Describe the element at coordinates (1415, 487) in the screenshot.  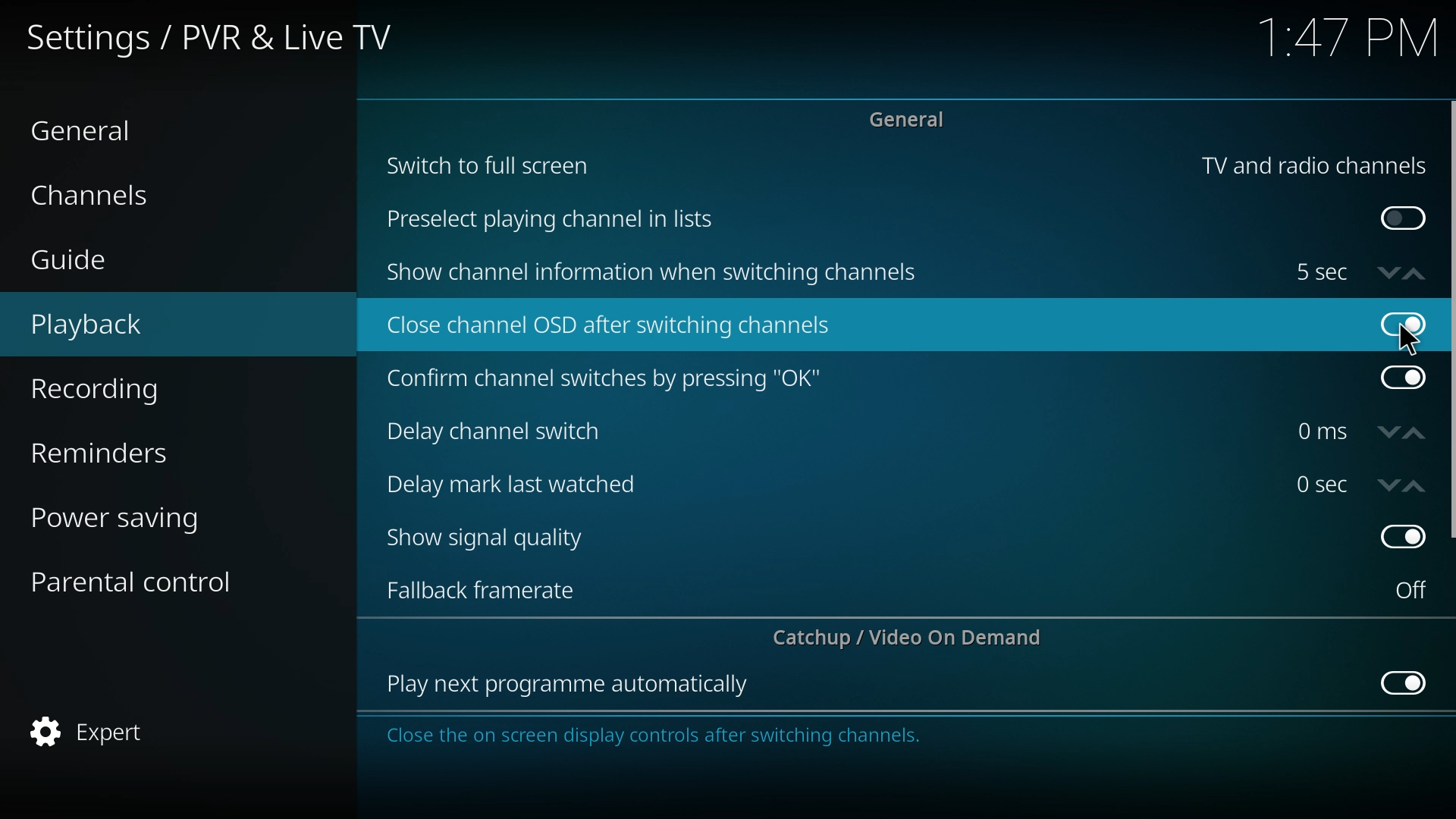
I see `increase time` at that location.